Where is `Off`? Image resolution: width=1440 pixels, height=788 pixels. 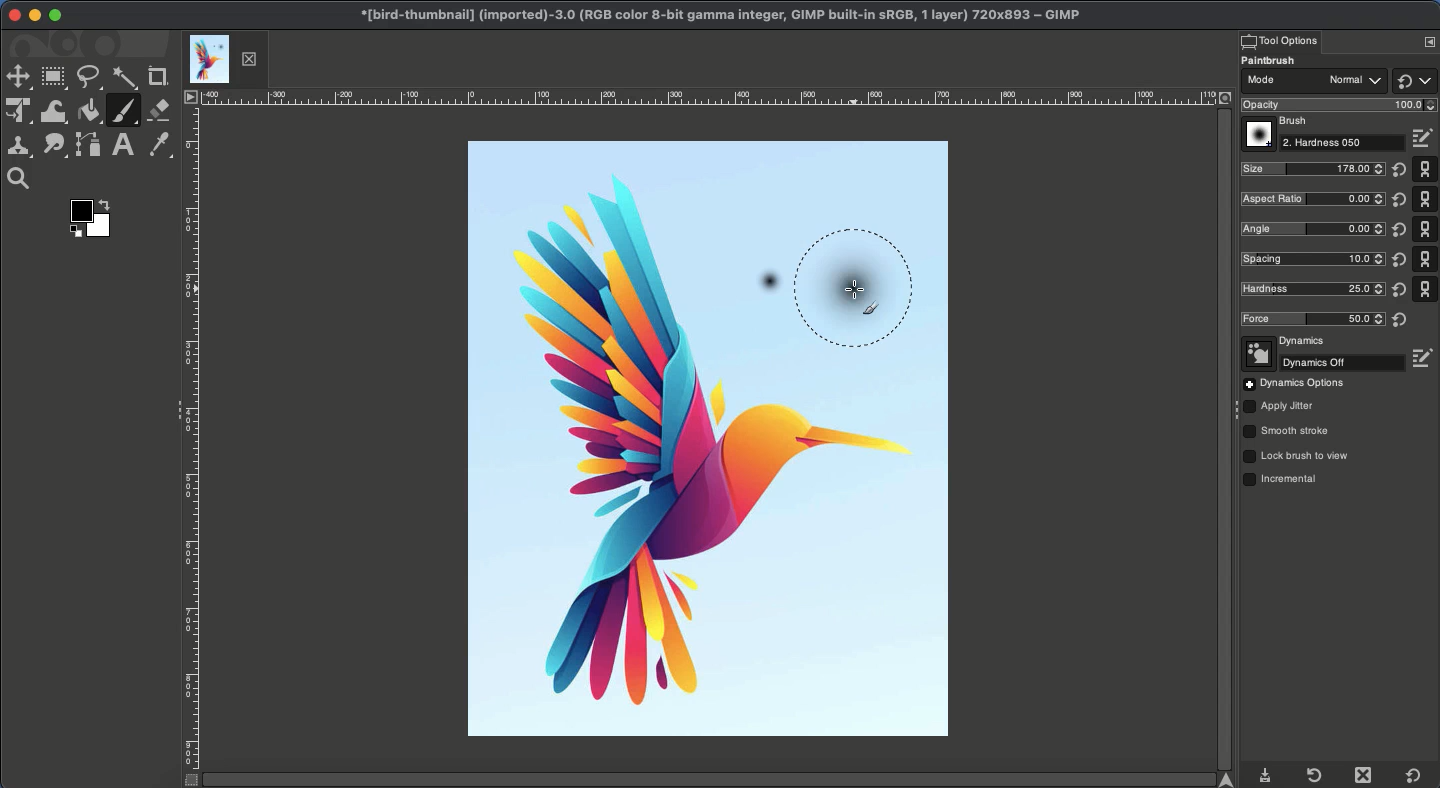 Off is located at coordinates (1324, 363).